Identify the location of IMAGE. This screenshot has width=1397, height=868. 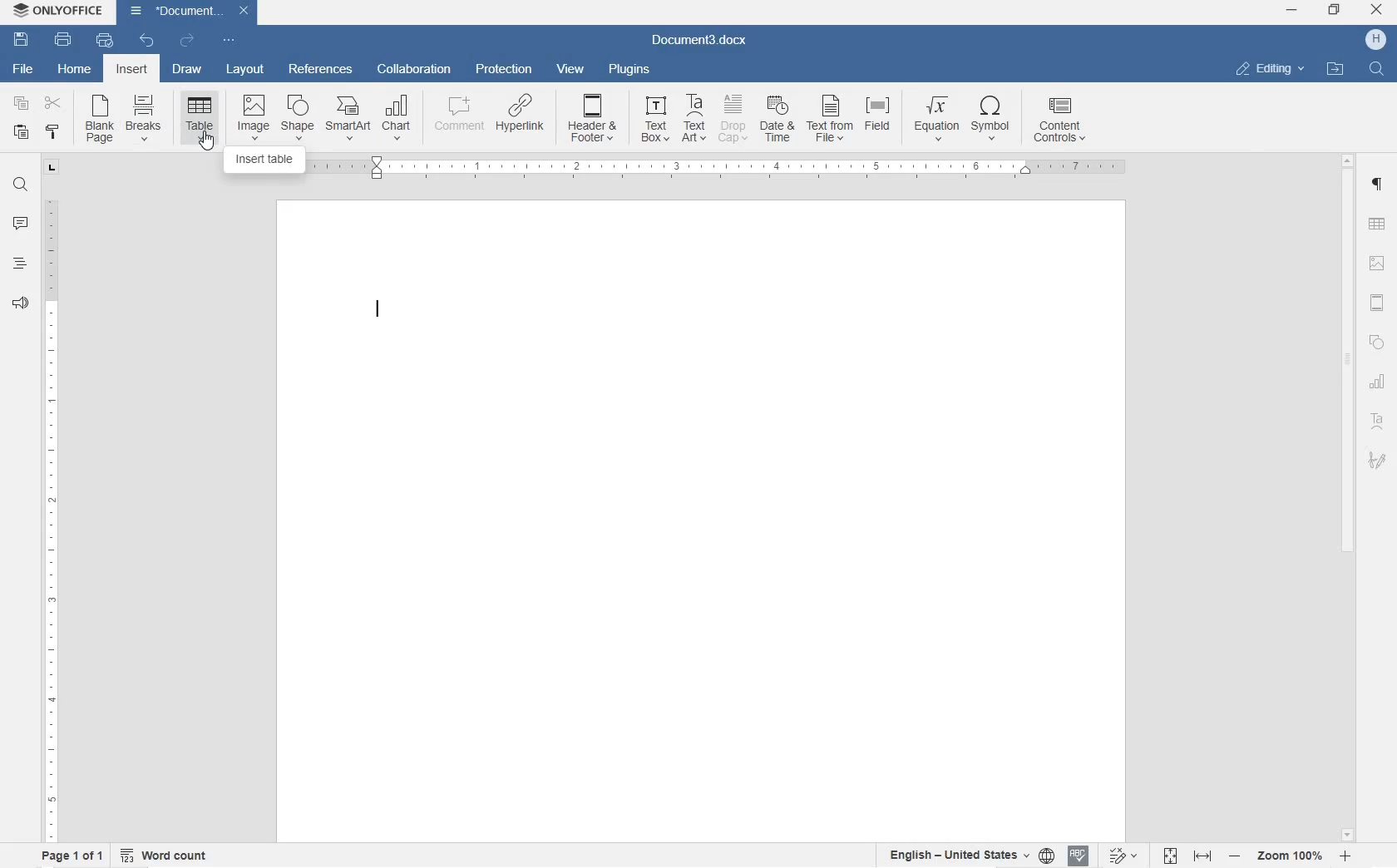
(1379, 264).